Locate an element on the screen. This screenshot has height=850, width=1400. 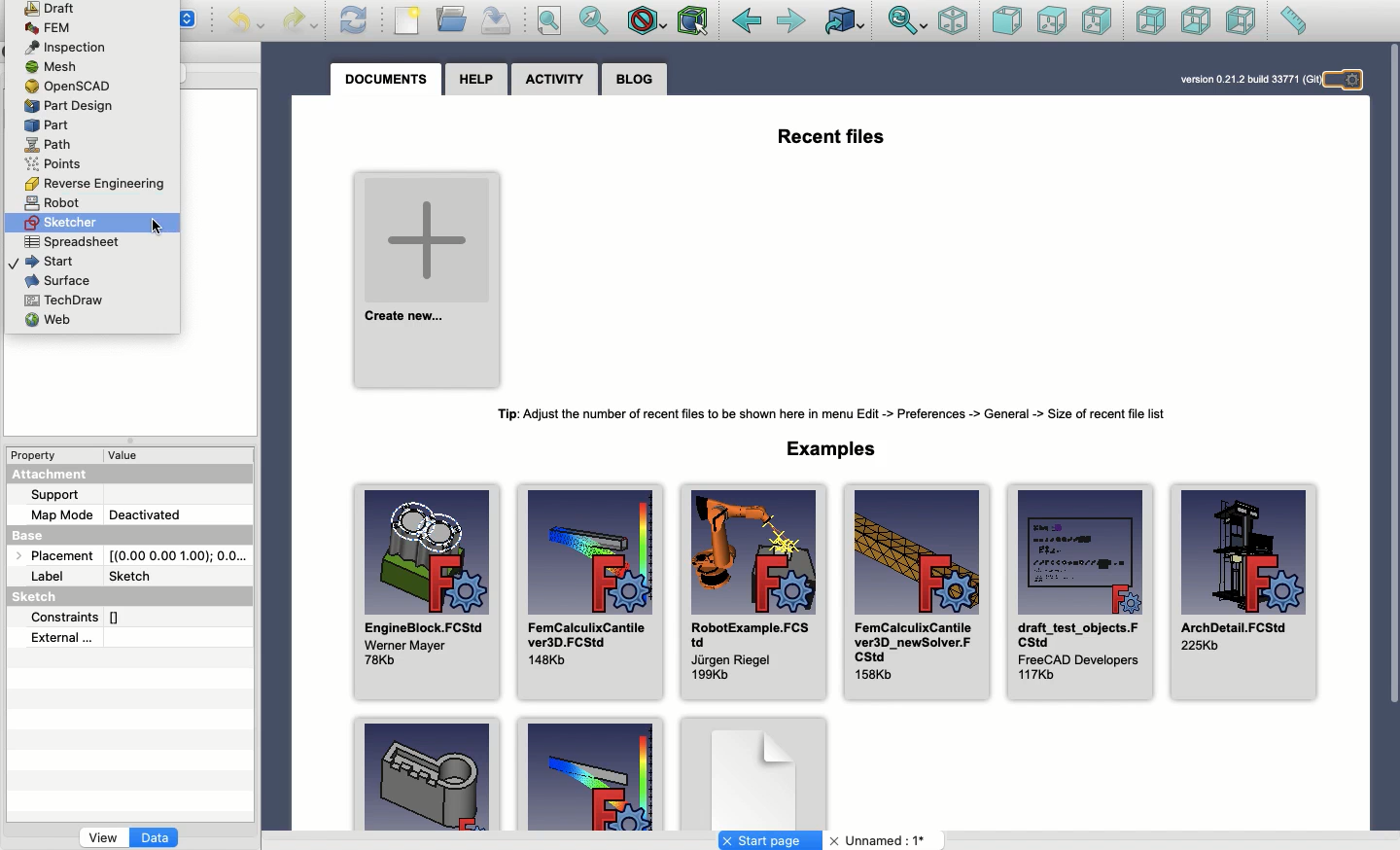
Constraints is located at coordinates (77, 619).